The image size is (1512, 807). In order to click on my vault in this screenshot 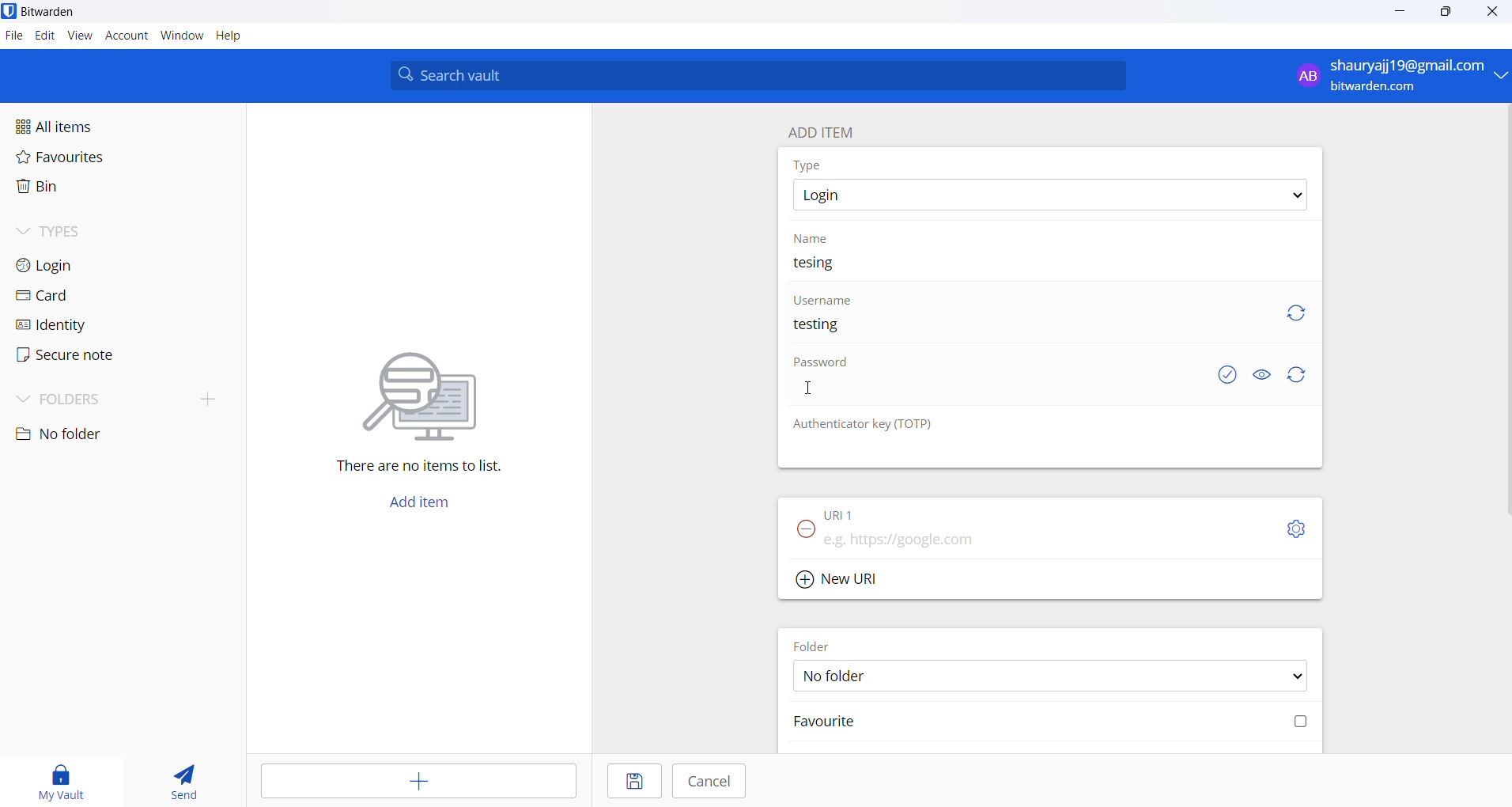, I will do `click(64, 779)`.